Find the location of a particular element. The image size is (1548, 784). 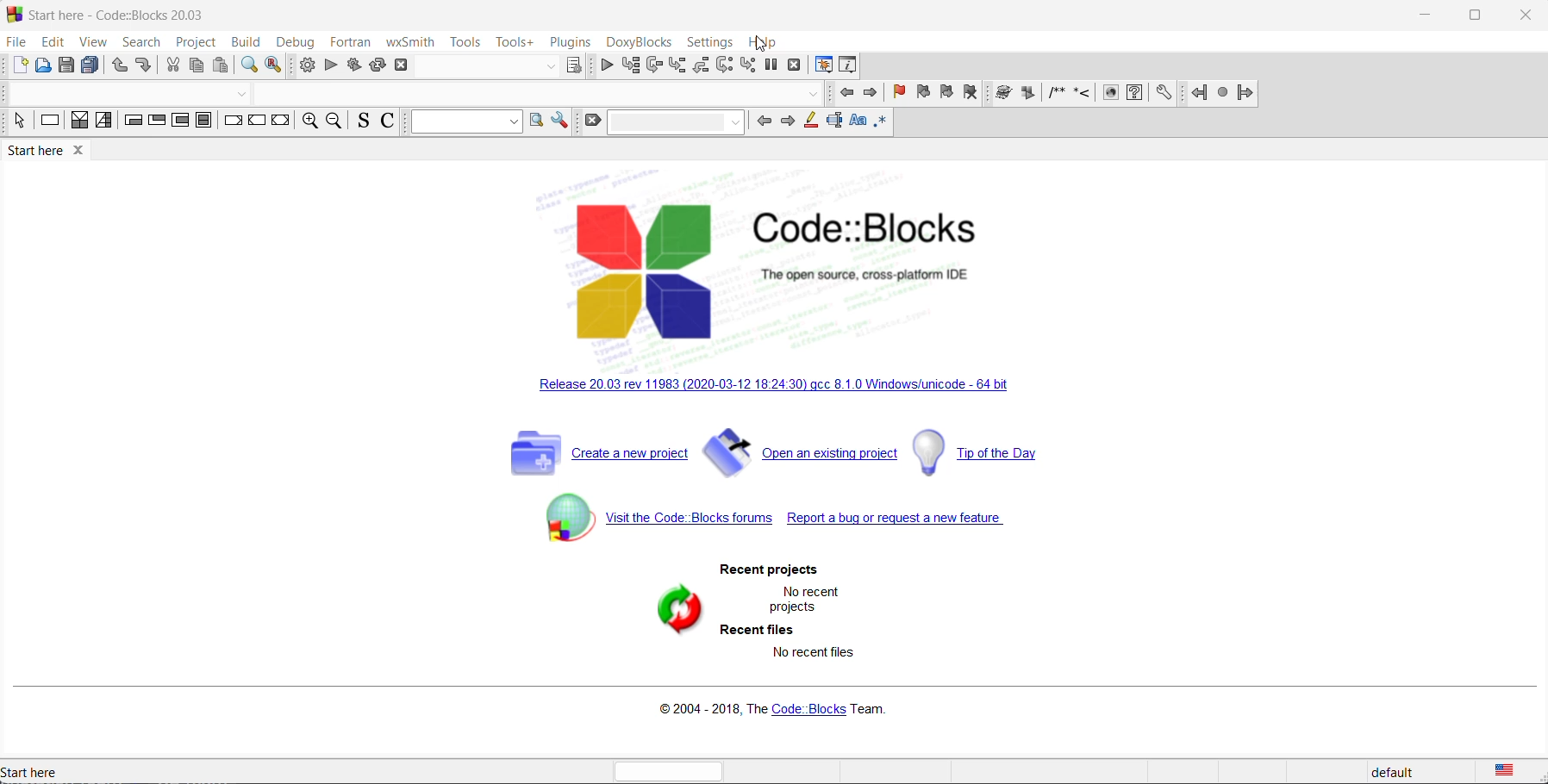

tools+ is located at coordinates (515, 41).